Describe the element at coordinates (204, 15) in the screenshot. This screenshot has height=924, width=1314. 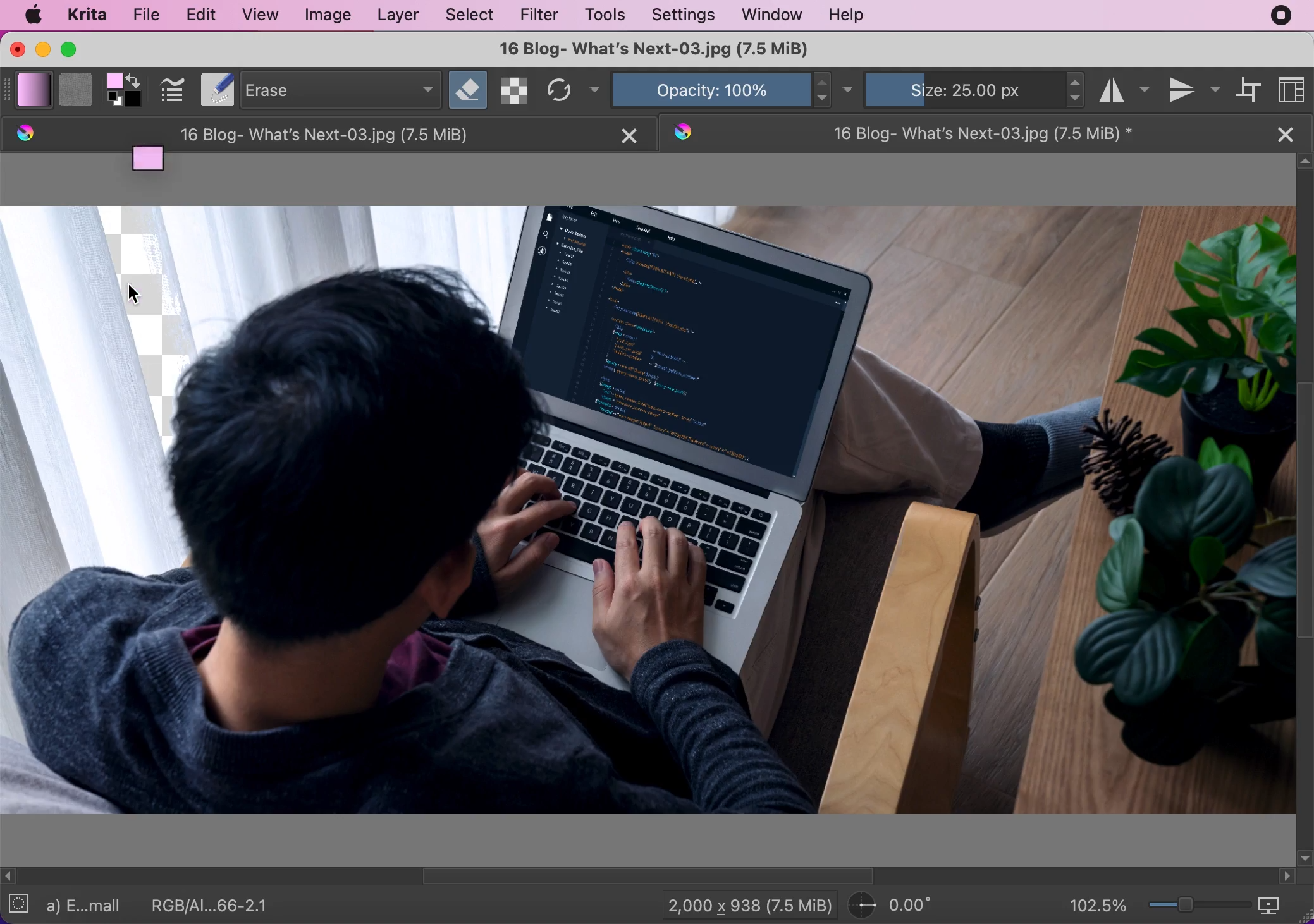
I see `edit` at that location.